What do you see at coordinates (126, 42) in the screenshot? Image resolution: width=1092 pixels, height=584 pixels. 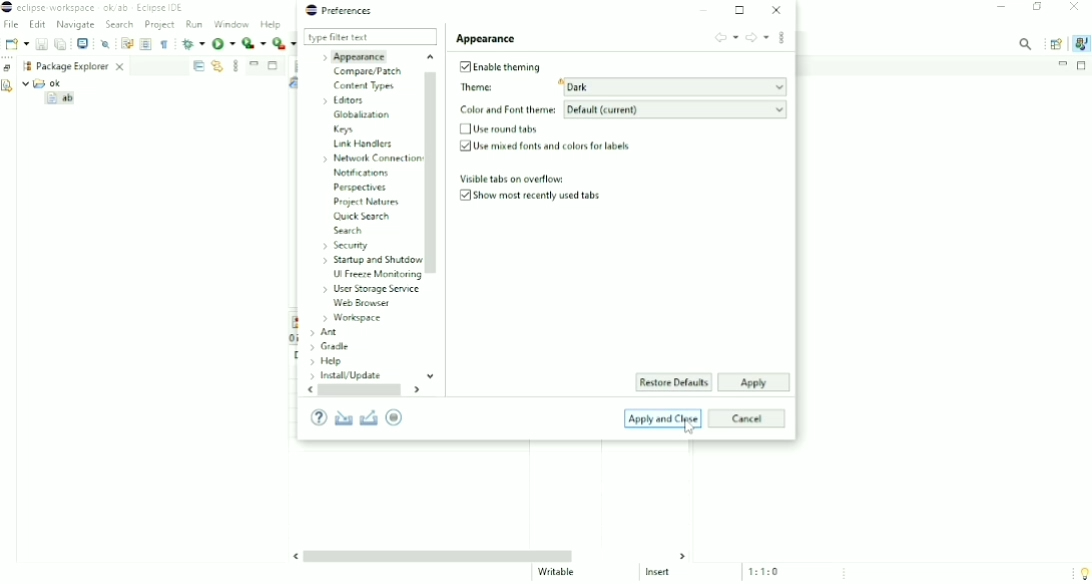 I see `Toggle Word Wrap` at bounding box center [126, 42].